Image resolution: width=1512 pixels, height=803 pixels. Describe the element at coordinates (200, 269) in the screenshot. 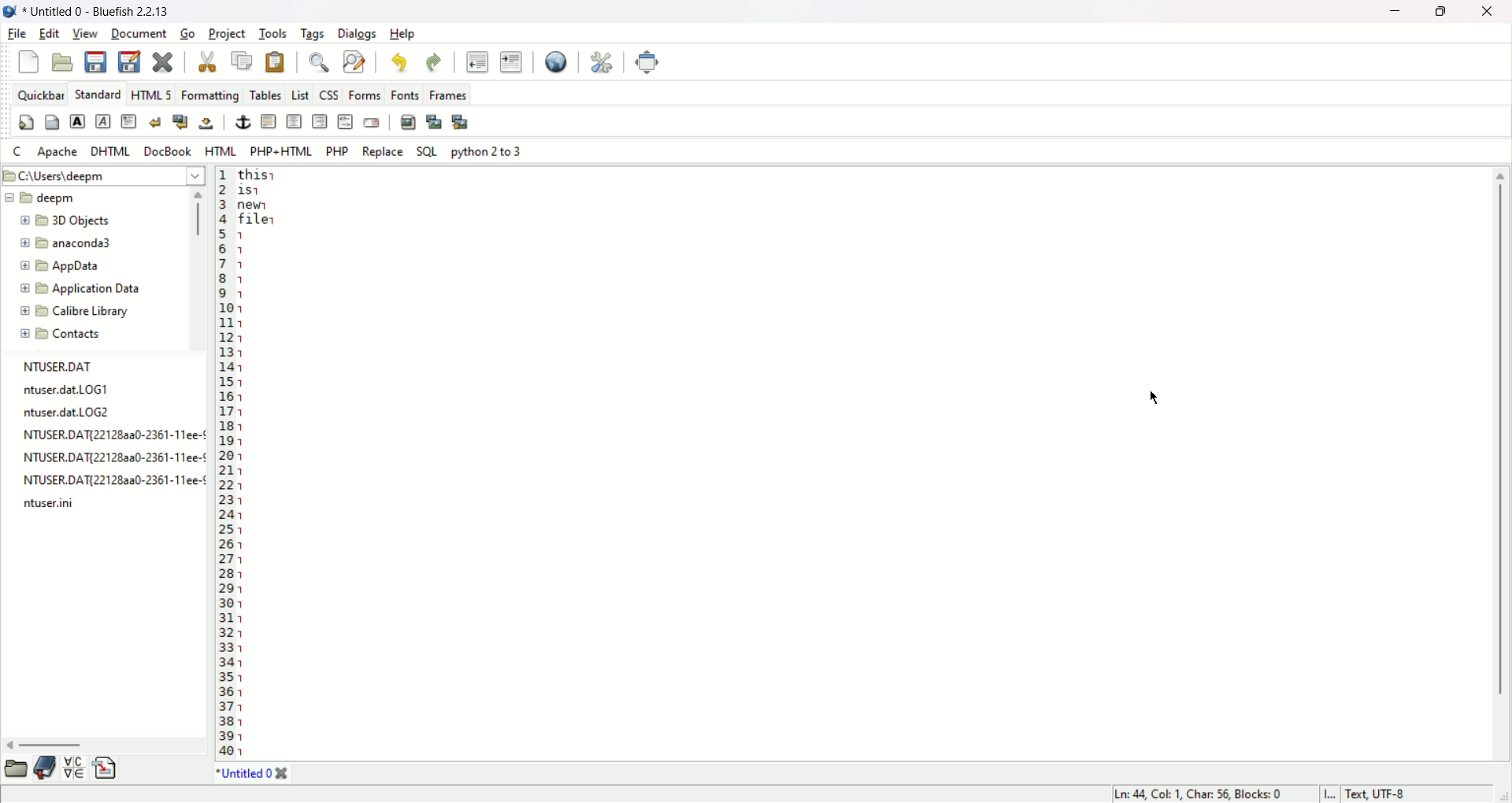

I see `scroll bar` at that location.